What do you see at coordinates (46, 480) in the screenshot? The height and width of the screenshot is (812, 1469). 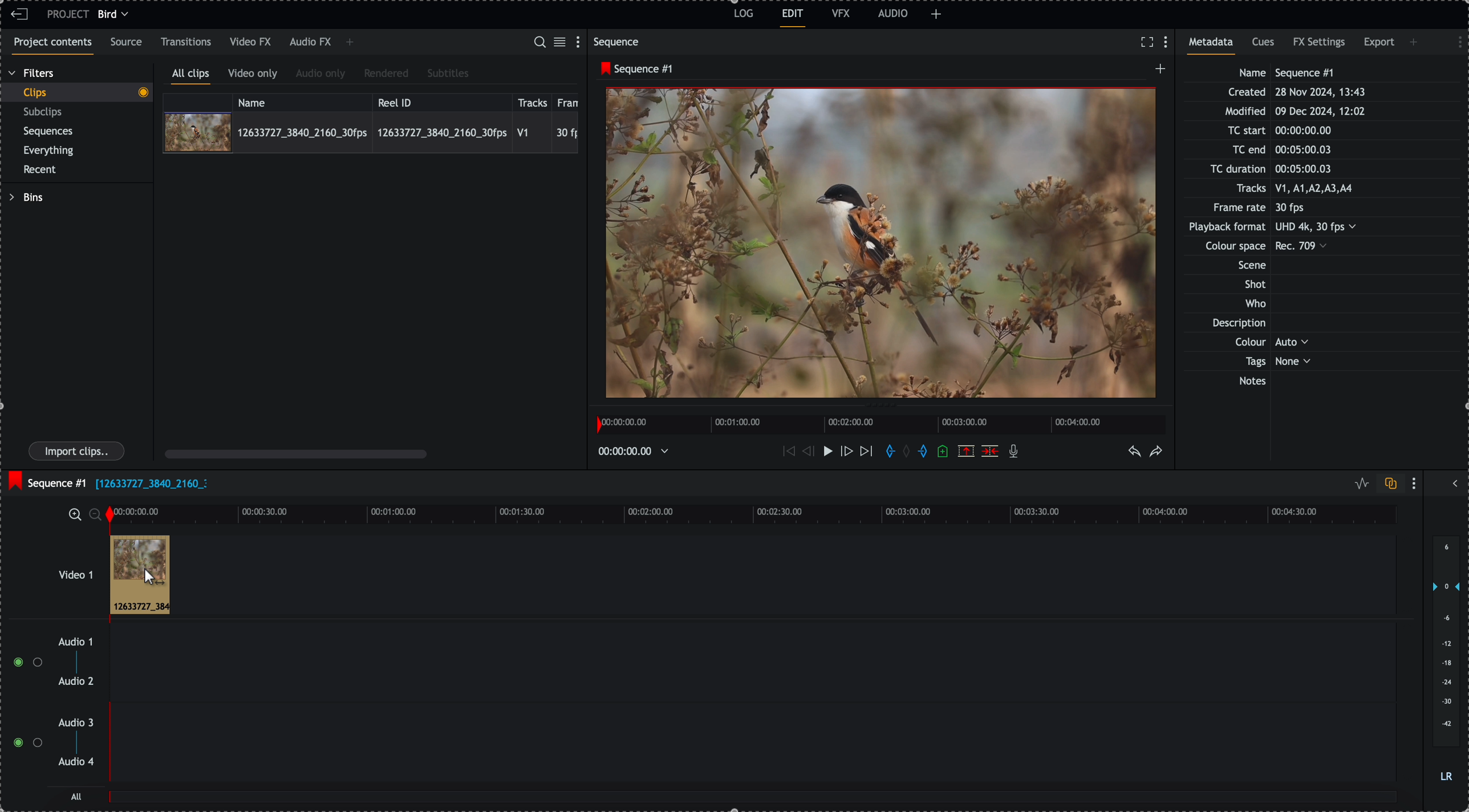 I see `sequence #1` at bounding box center [46, 480].